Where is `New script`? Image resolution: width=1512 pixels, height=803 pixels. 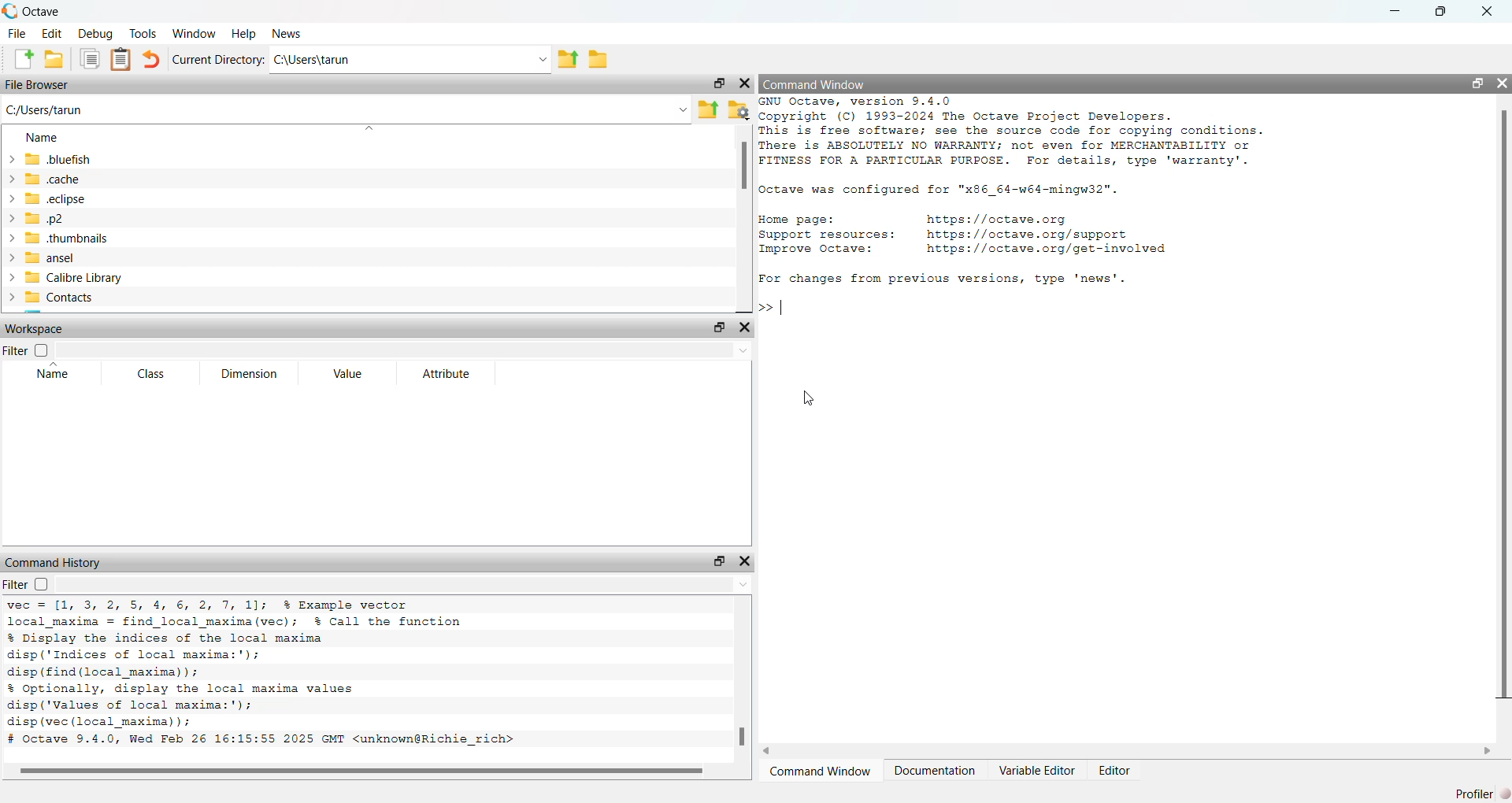 New script is located at coordinates (21, 58).